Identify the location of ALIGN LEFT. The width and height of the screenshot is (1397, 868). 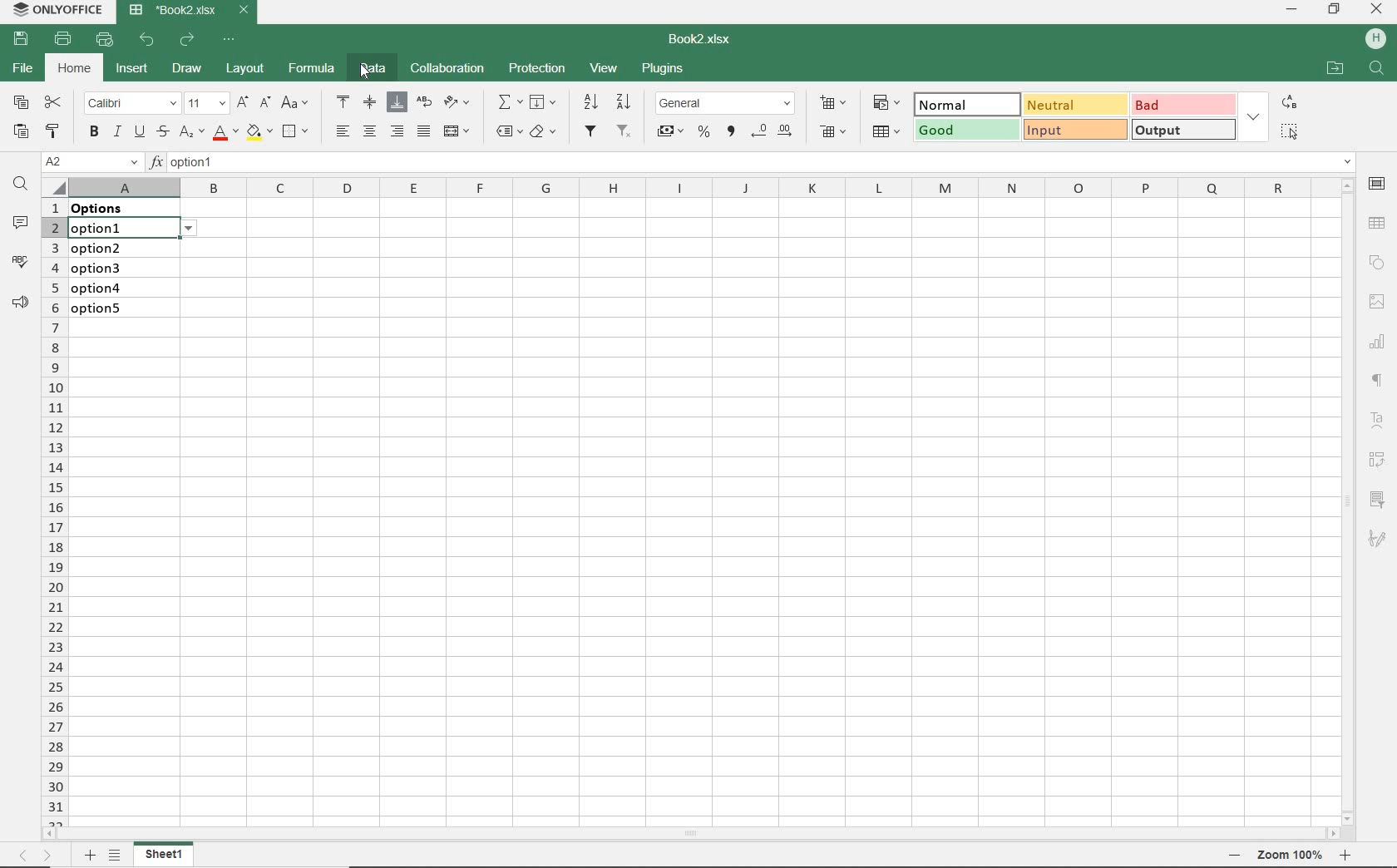
(343, 131).